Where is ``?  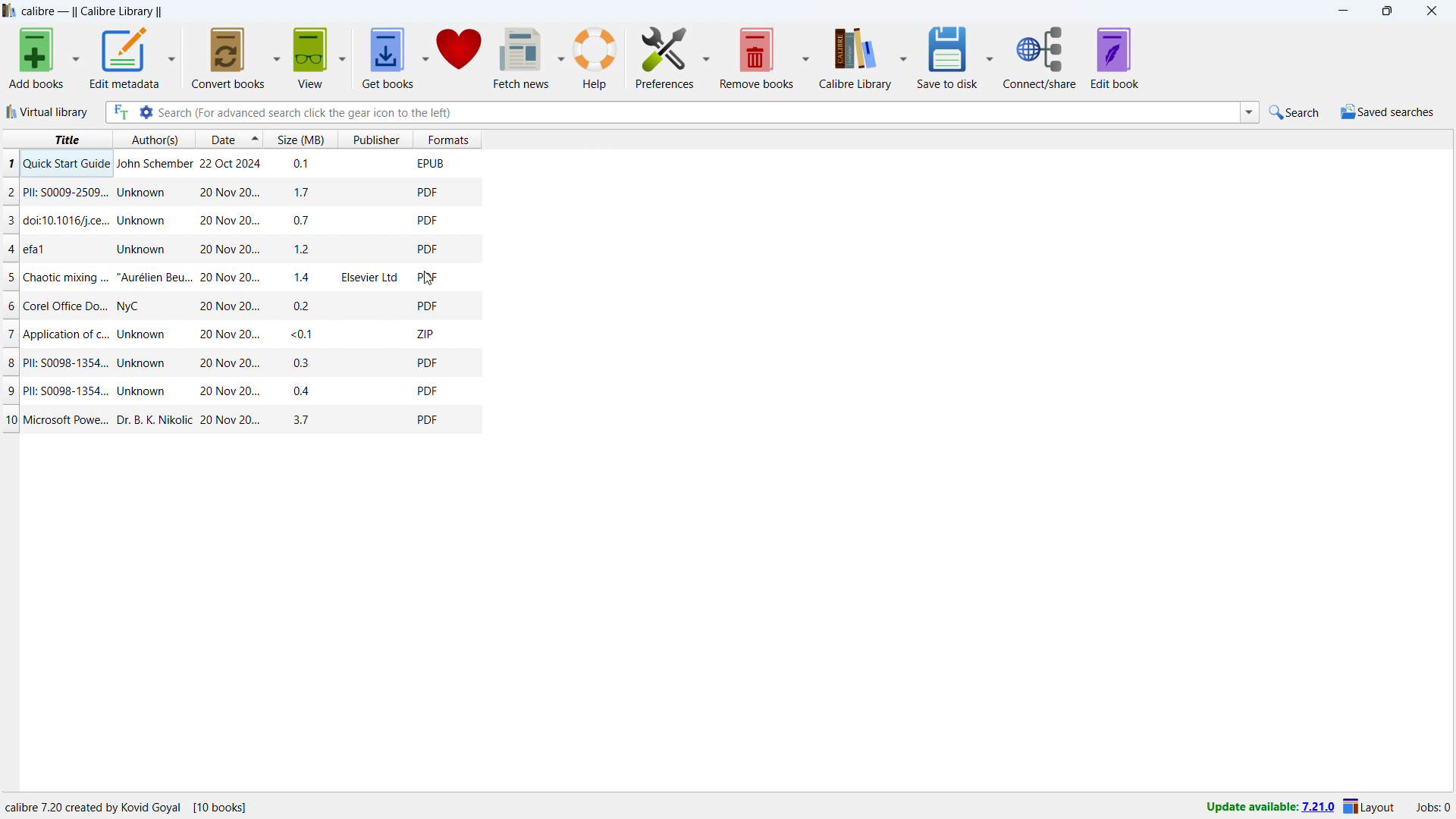
 is located at coordinates (856, 58).